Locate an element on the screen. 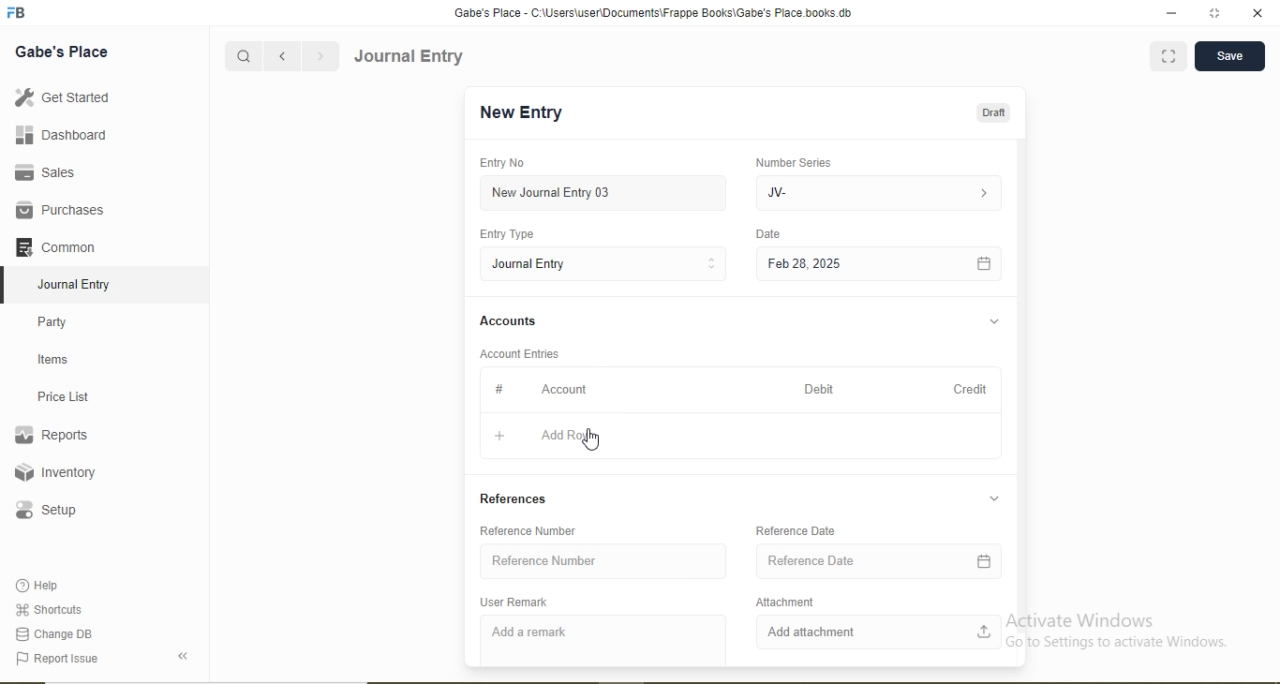  Reference Date is located at coordinates (796, 531).